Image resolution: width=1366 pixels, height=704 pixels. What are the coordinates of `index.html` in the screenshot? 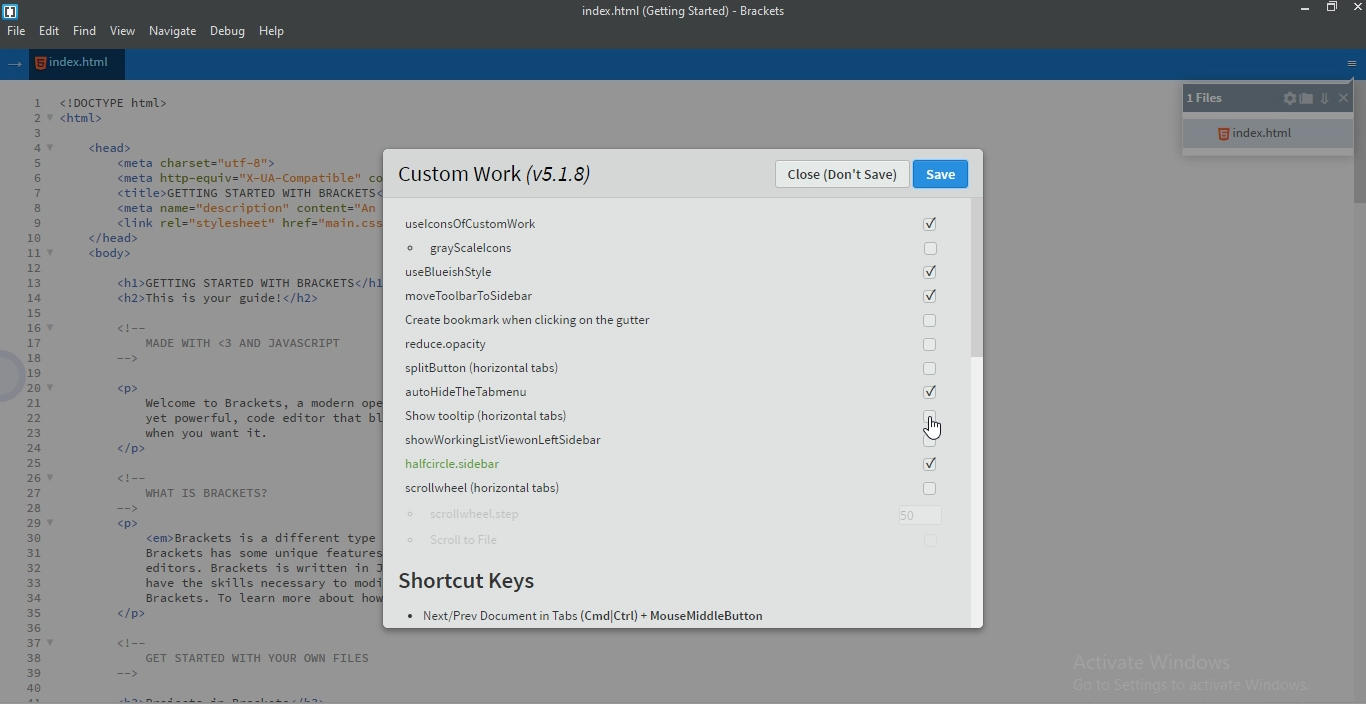 It's located at (1263, 133).